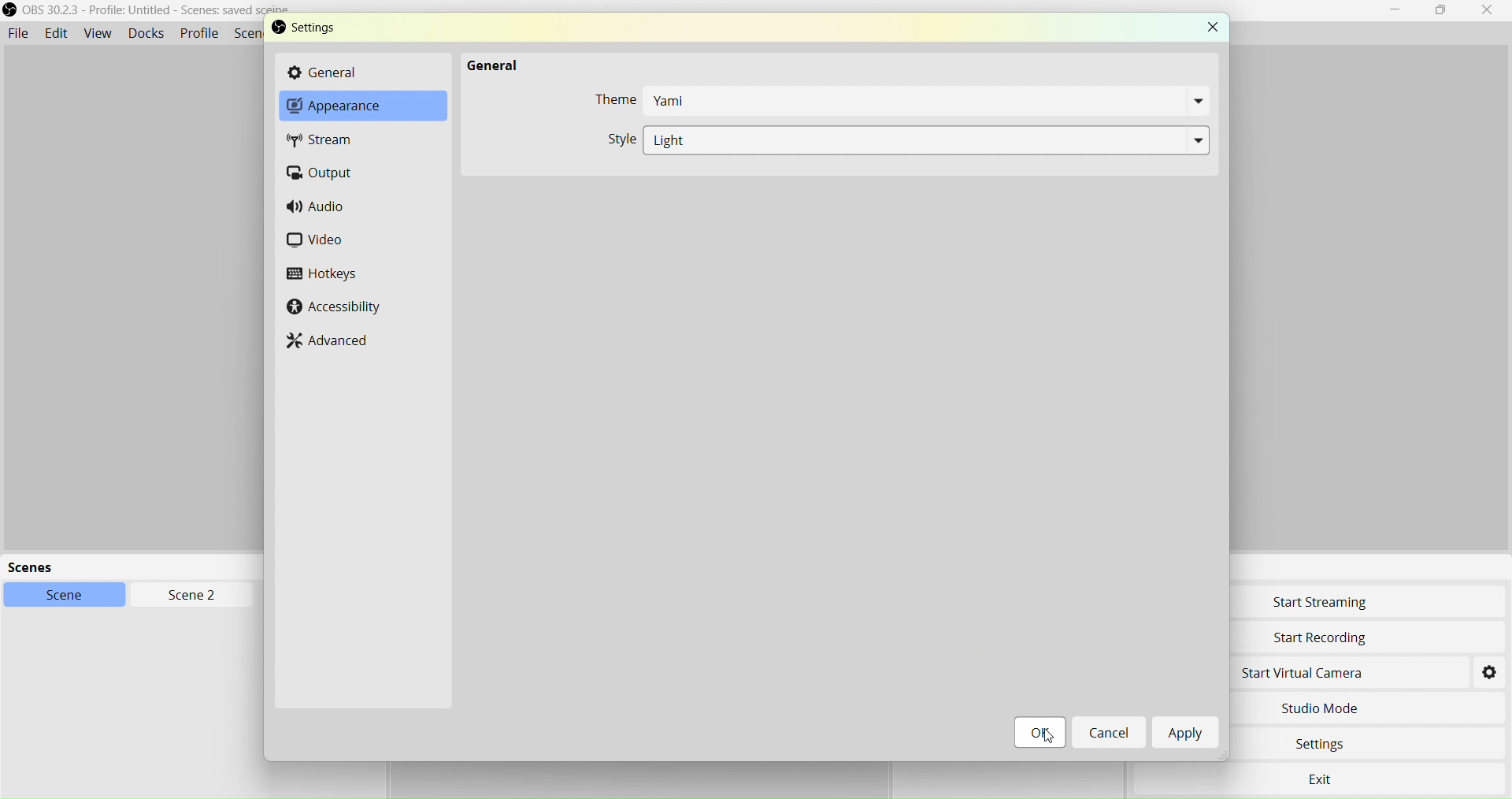 This screenshot has width=1512, height=799. What do you see at coordinates (337, 342) in the screenshot?
I see `Advanced` at bounding box center [337, 342].